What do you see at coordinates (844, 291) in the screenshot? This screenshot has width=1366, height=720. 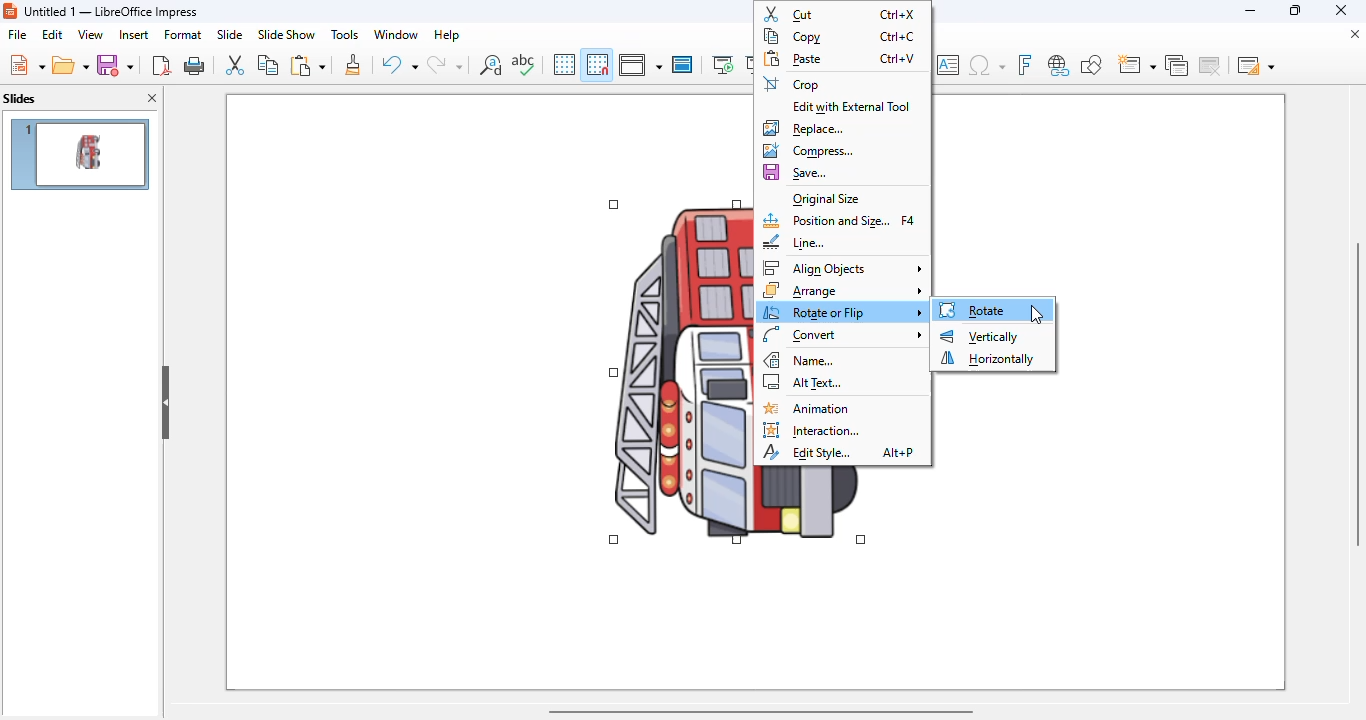 I see `arrange` at bounding box center [844, 291].